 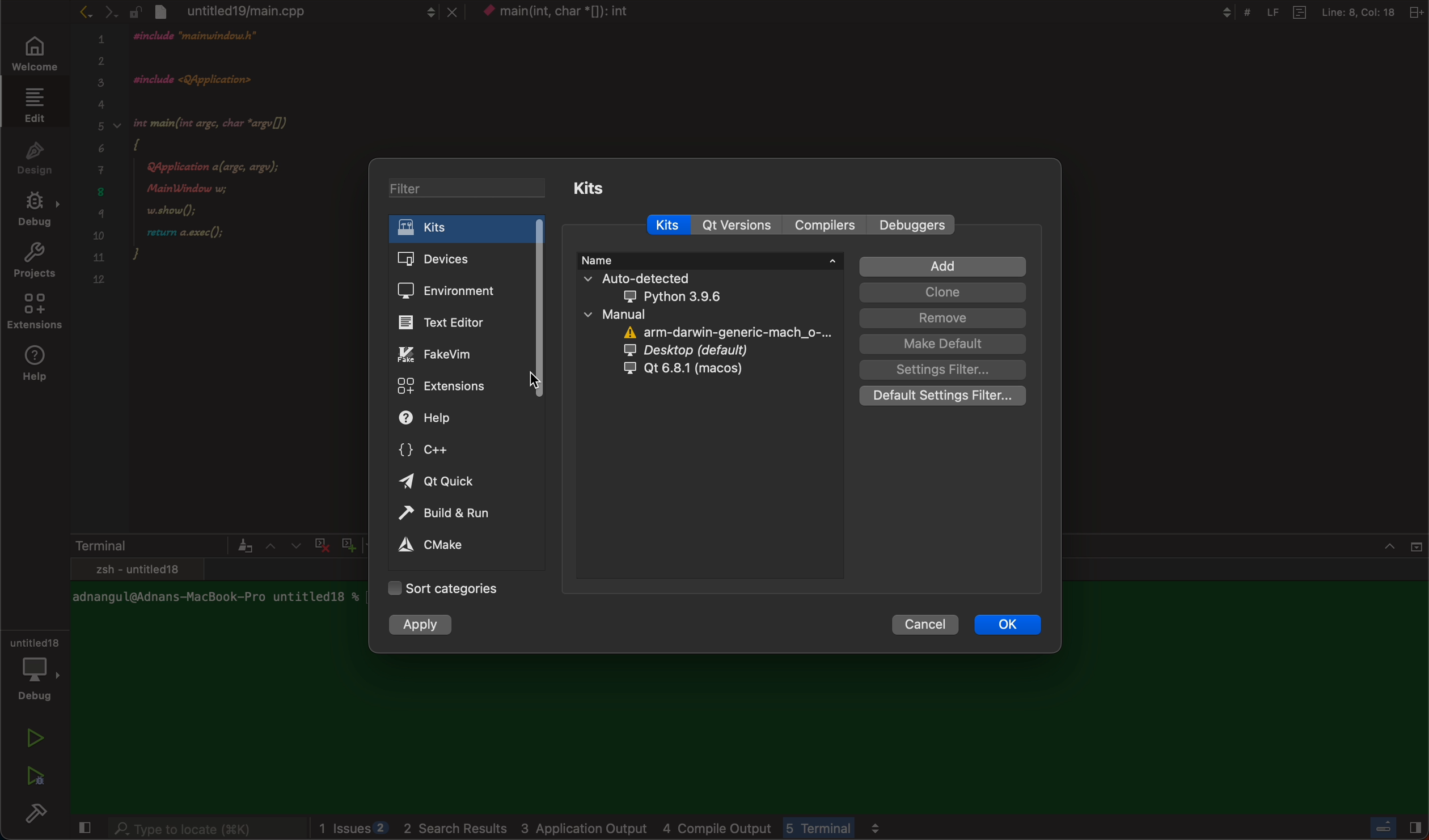 I want to click on setting, so click(x=450, y=546).